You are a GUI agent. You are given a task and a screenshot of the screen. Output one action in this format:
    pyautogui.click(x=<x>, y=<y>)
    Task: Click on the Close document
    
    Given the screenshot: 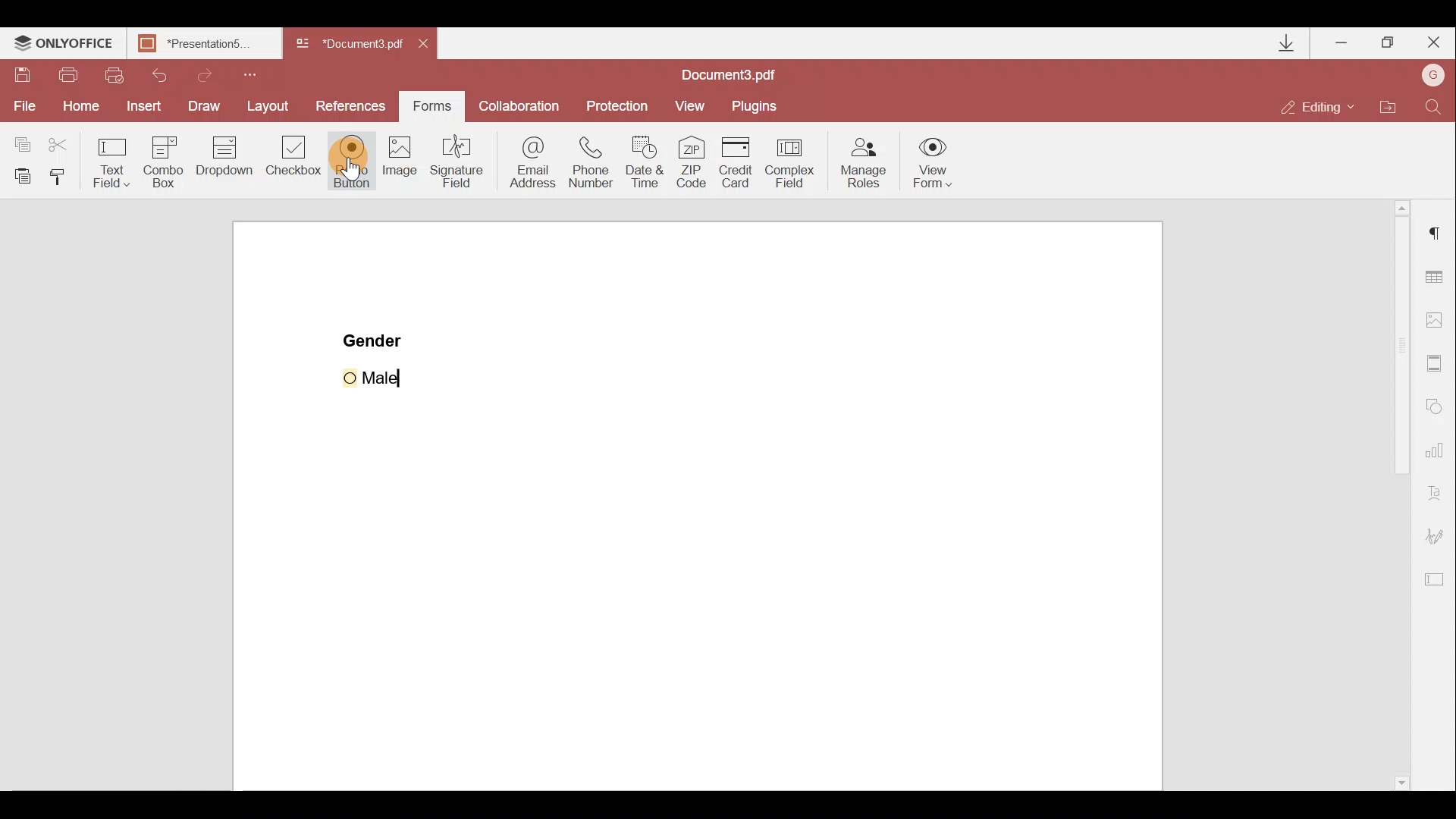 What is the action you would take?
    pyautogui.click(x=427, y=45)
    